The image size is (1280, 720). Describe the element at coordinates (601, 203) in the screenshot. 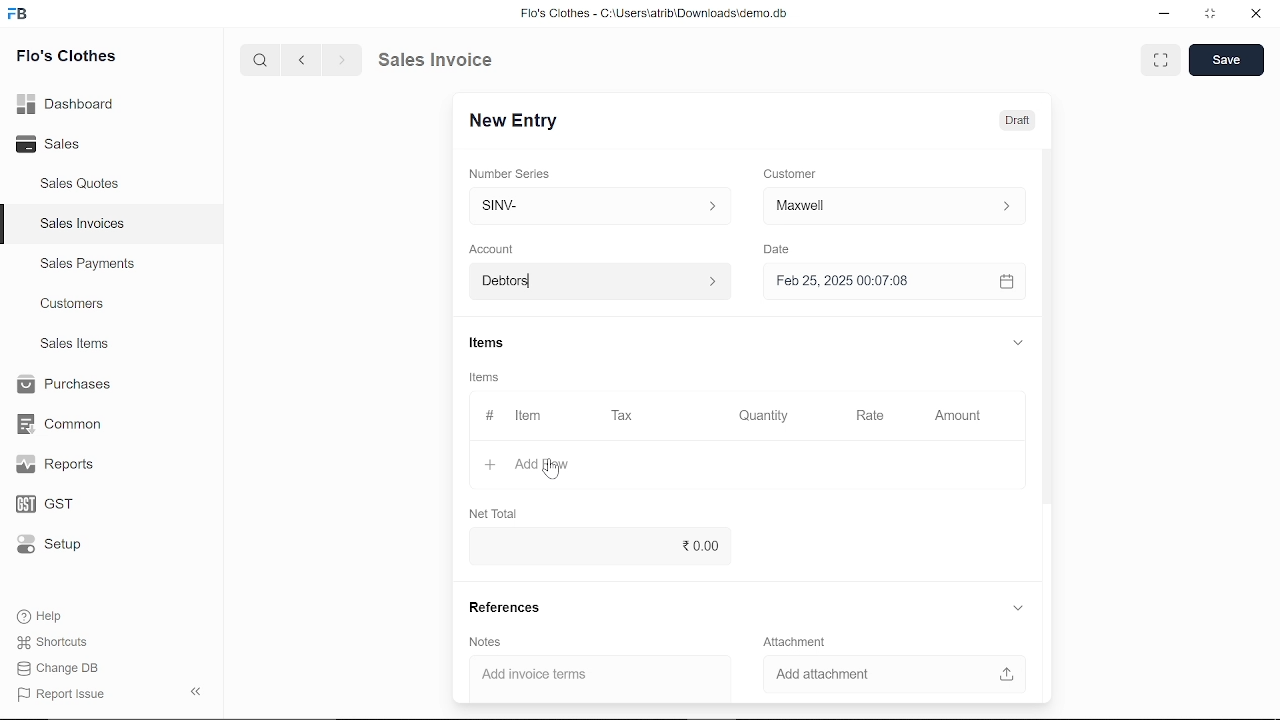

I see `Insert number series` at that location.